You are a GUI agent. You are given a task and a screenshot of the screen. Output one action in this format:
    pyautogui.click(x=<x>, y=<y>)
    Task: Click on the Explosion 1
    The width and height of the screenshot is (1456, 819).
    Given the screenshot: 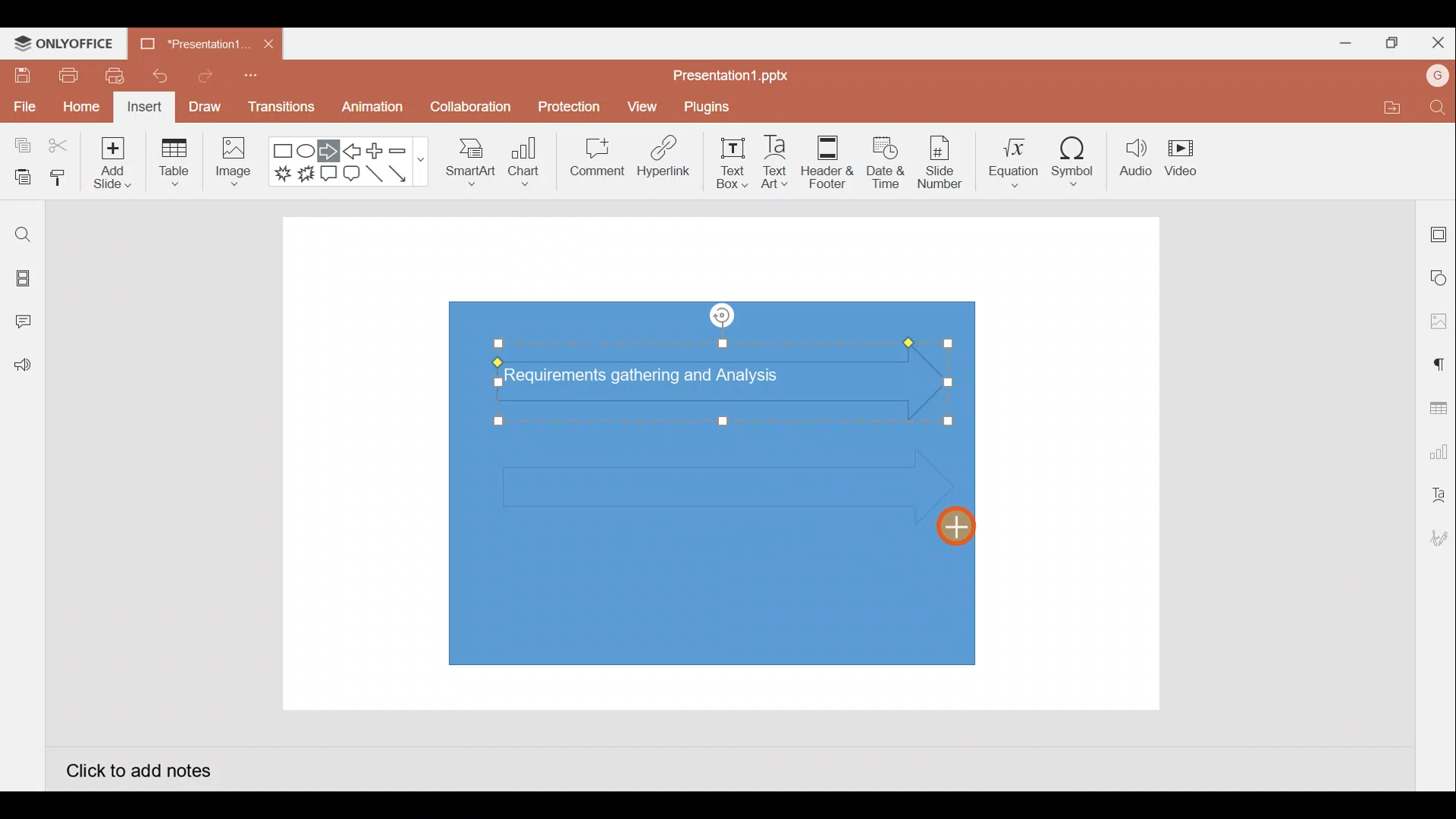 What is the action you would take?
    pyautogui.click(x=283, y=173)
    